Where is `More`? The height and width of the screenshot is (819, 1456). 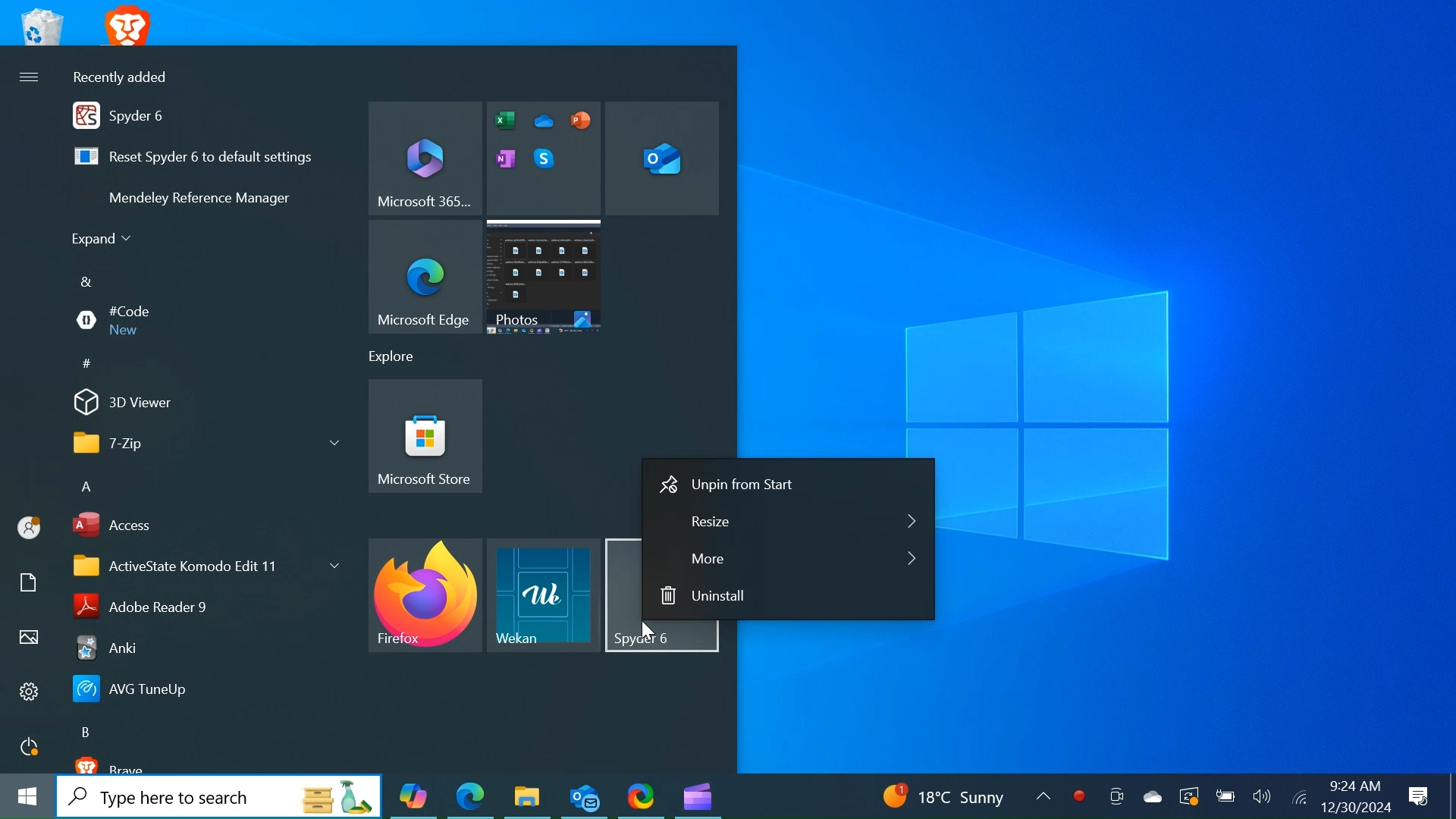
More is located at coordinates (789, 560).